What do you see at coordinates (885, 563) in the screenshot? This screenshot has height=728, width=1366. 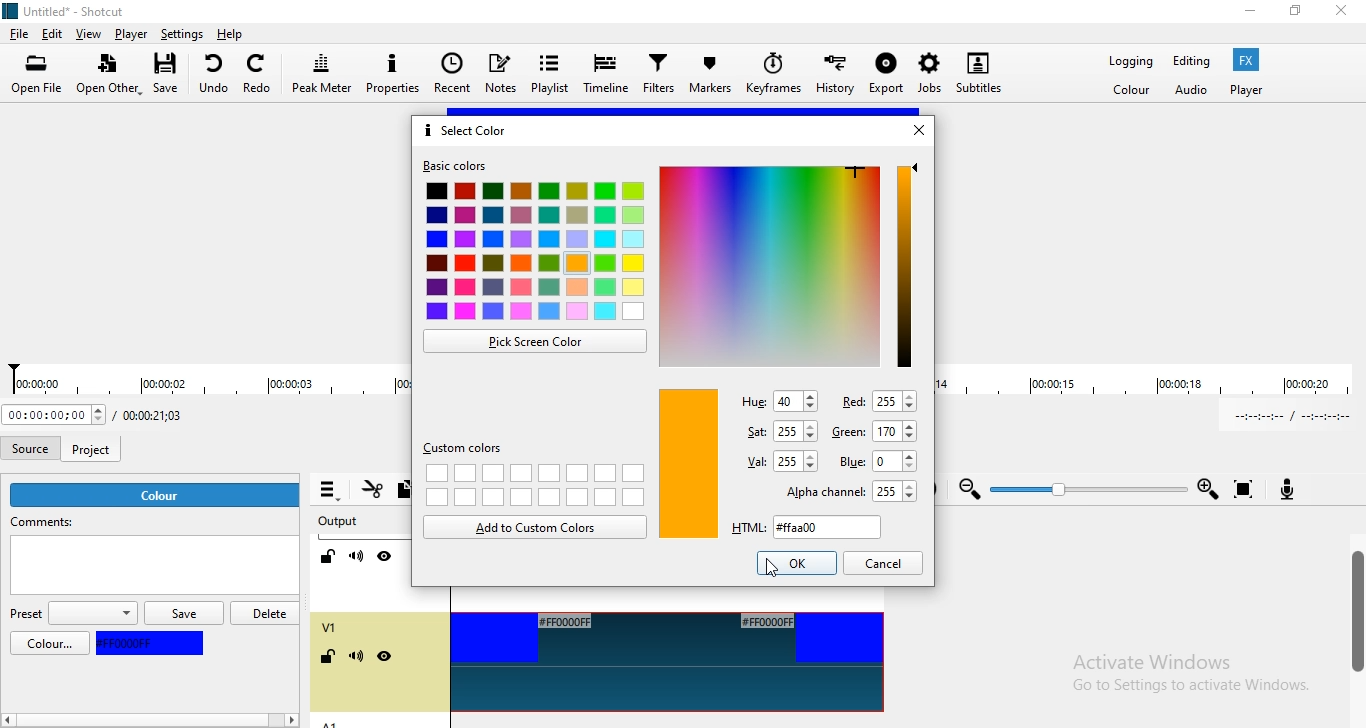 I see `cancel` at bounding box center [885, 563].